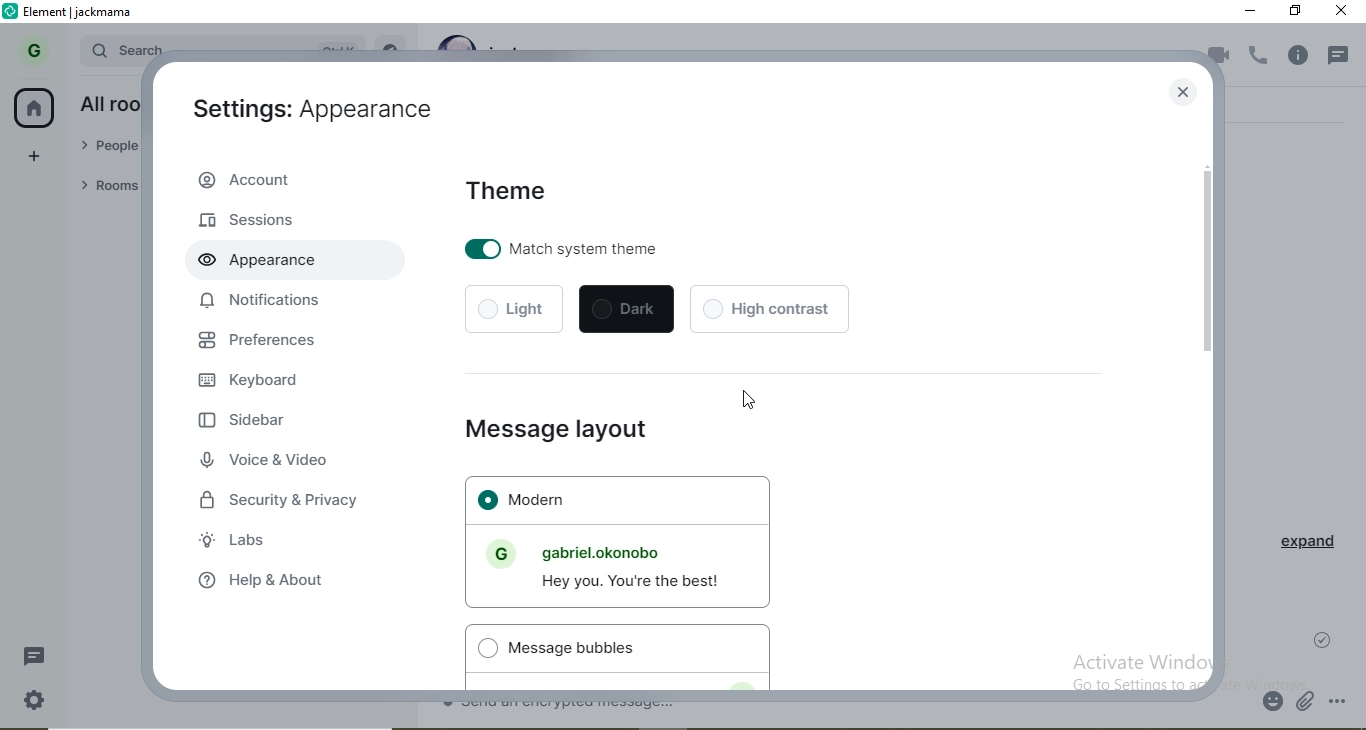 The height and width of the screenshot is (730, 1366). Describe the element at coordinates (1251, 12) in the screenshot. I see `minimise` at that location.